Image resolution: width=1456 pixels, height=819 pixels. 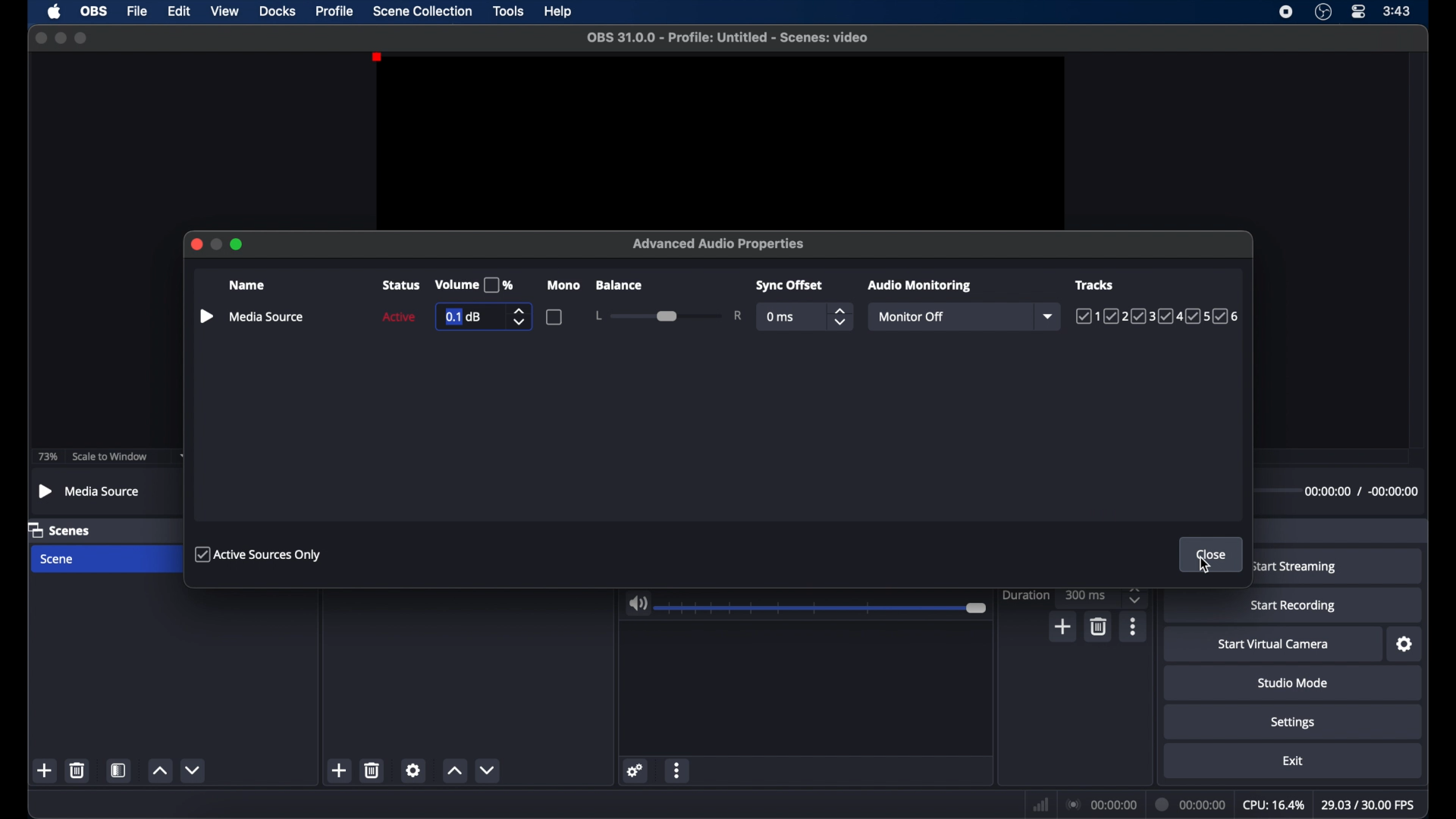 I want to click on volume, so click(x=637, y=604).